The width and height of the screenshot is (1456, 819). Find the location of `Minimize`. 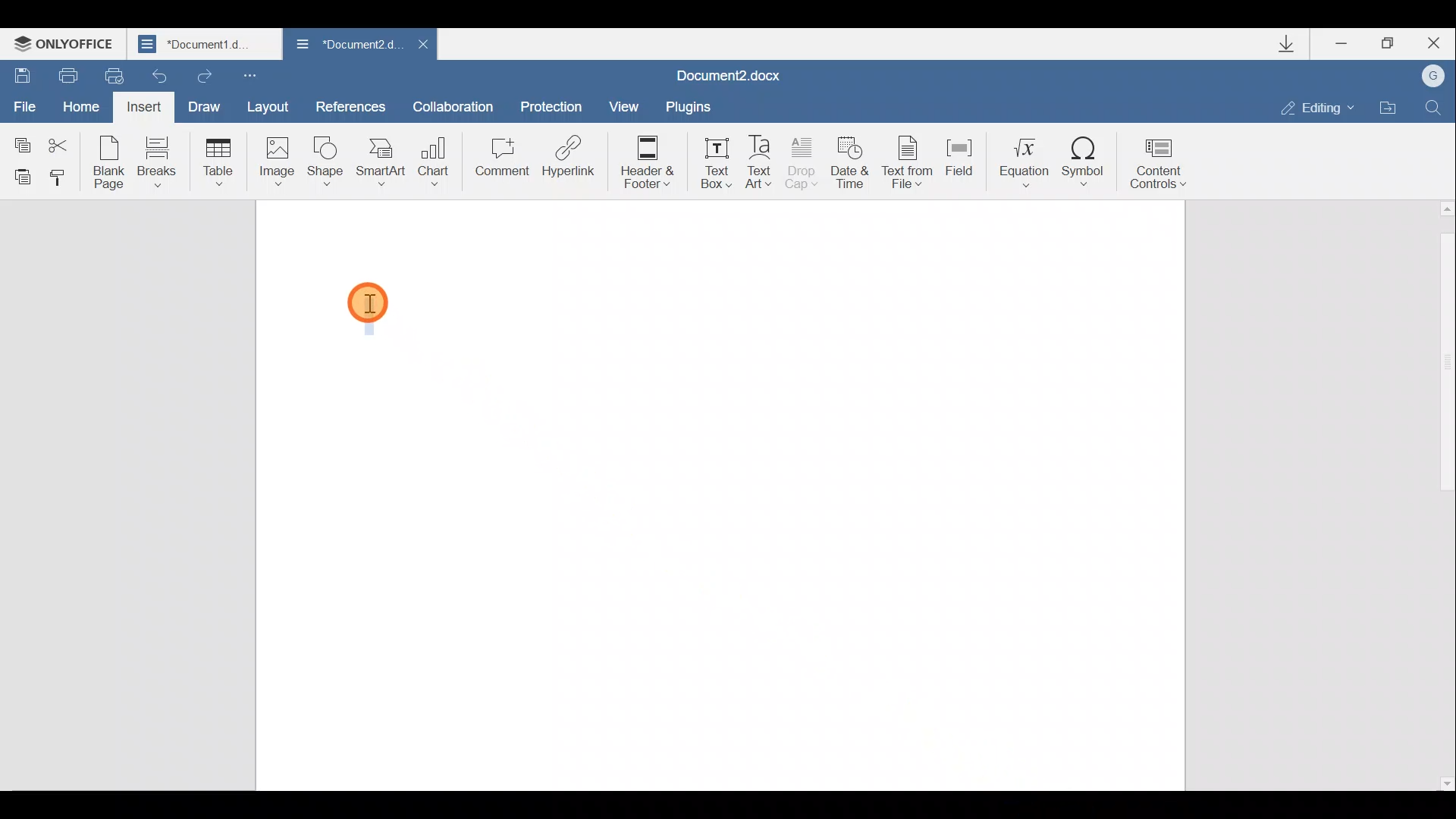

Minimize is located at coordinates (1342, 45).